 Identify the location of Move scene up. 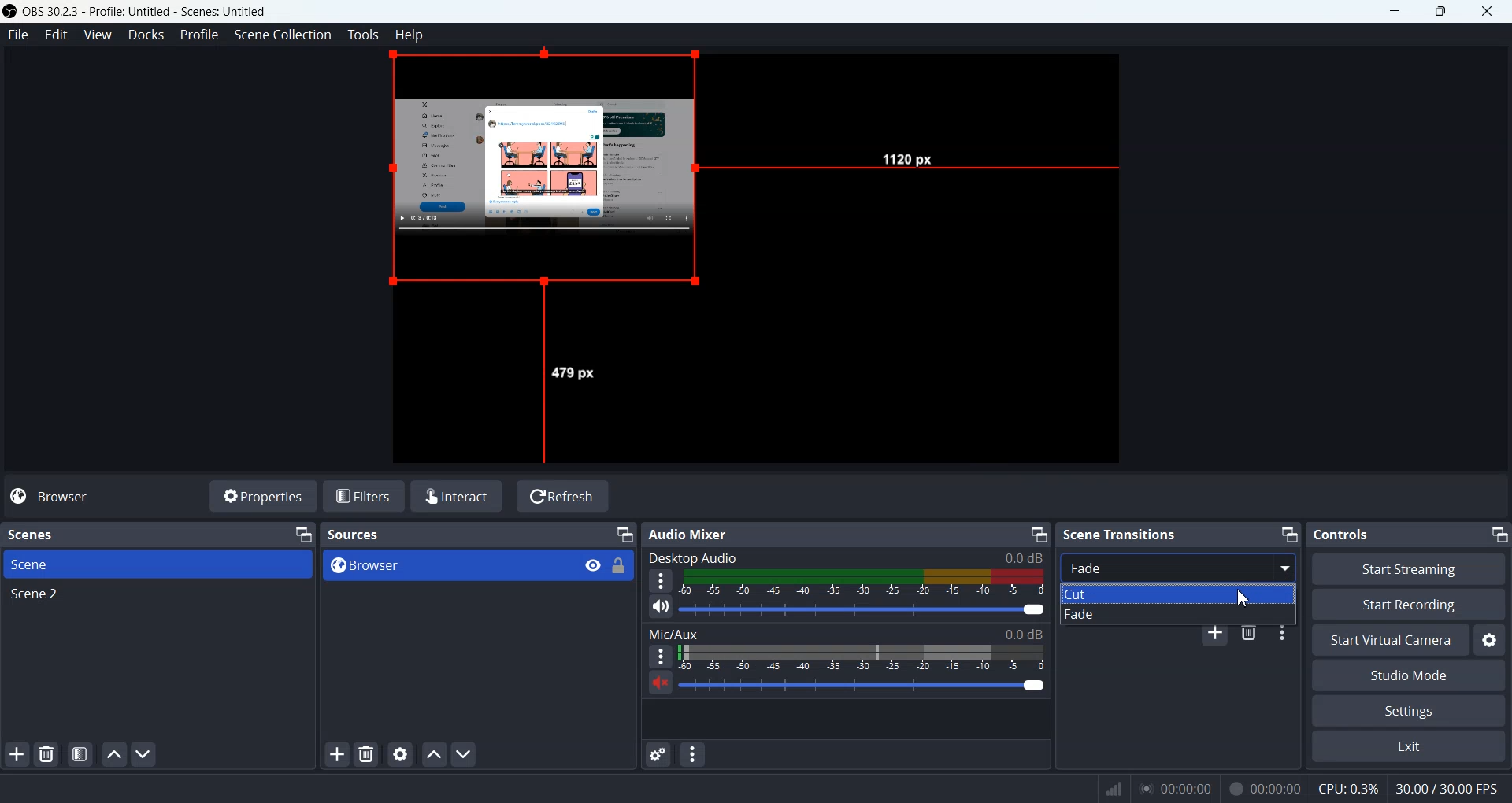
(115, 755).